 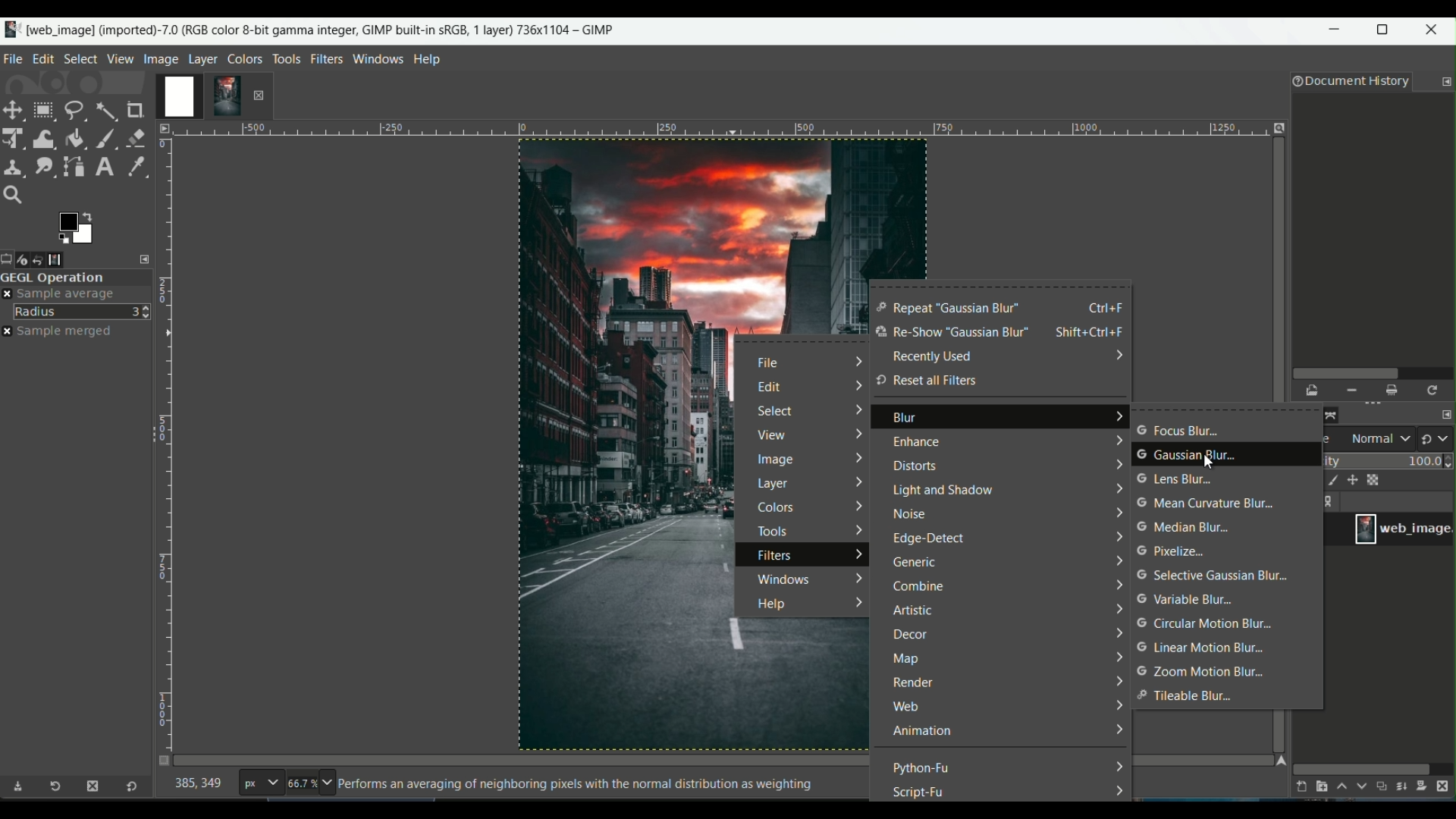 I want to click on recreate preview, so click(x=1434, y=390).